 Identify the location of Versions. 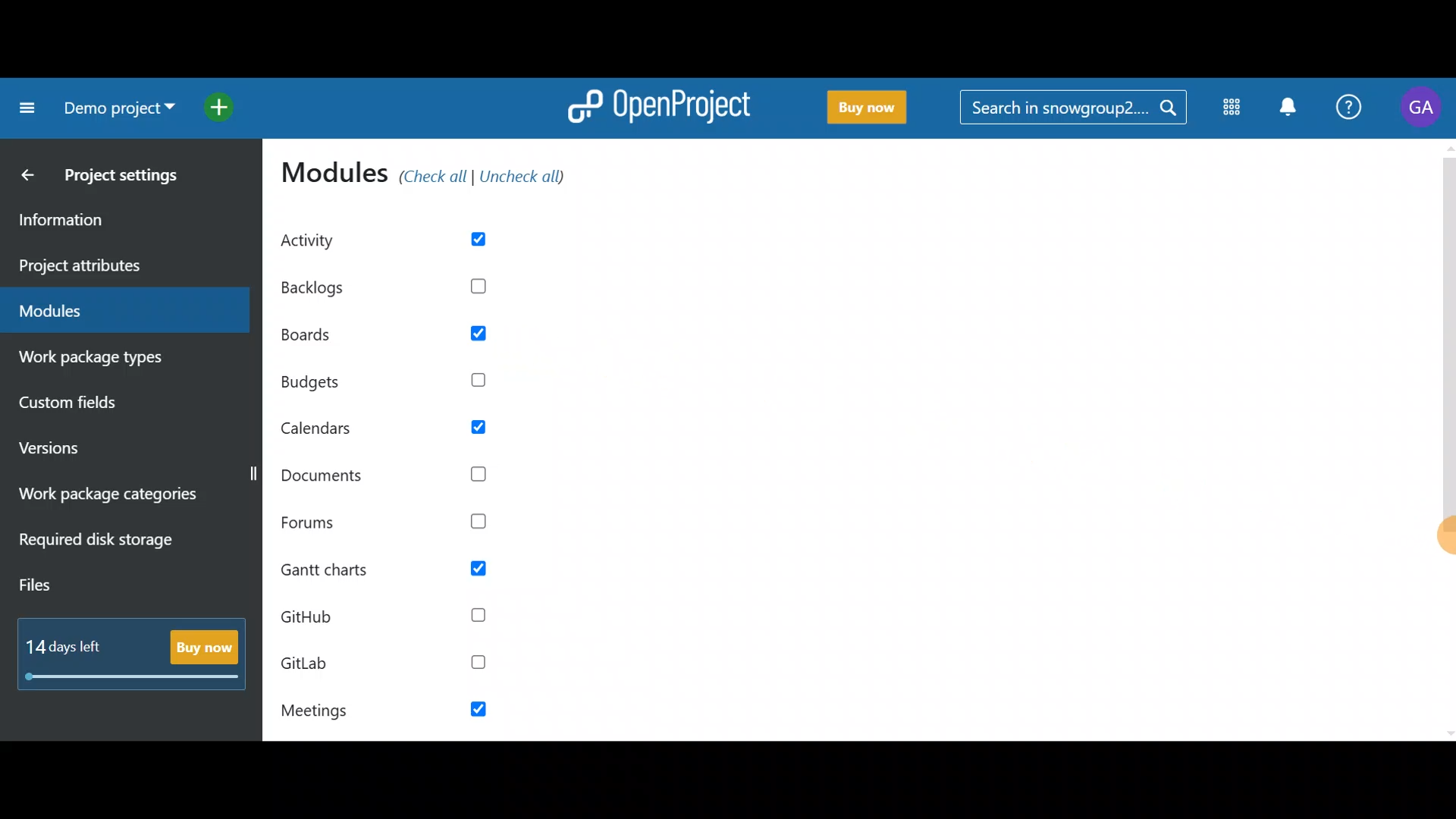
(78, 450).